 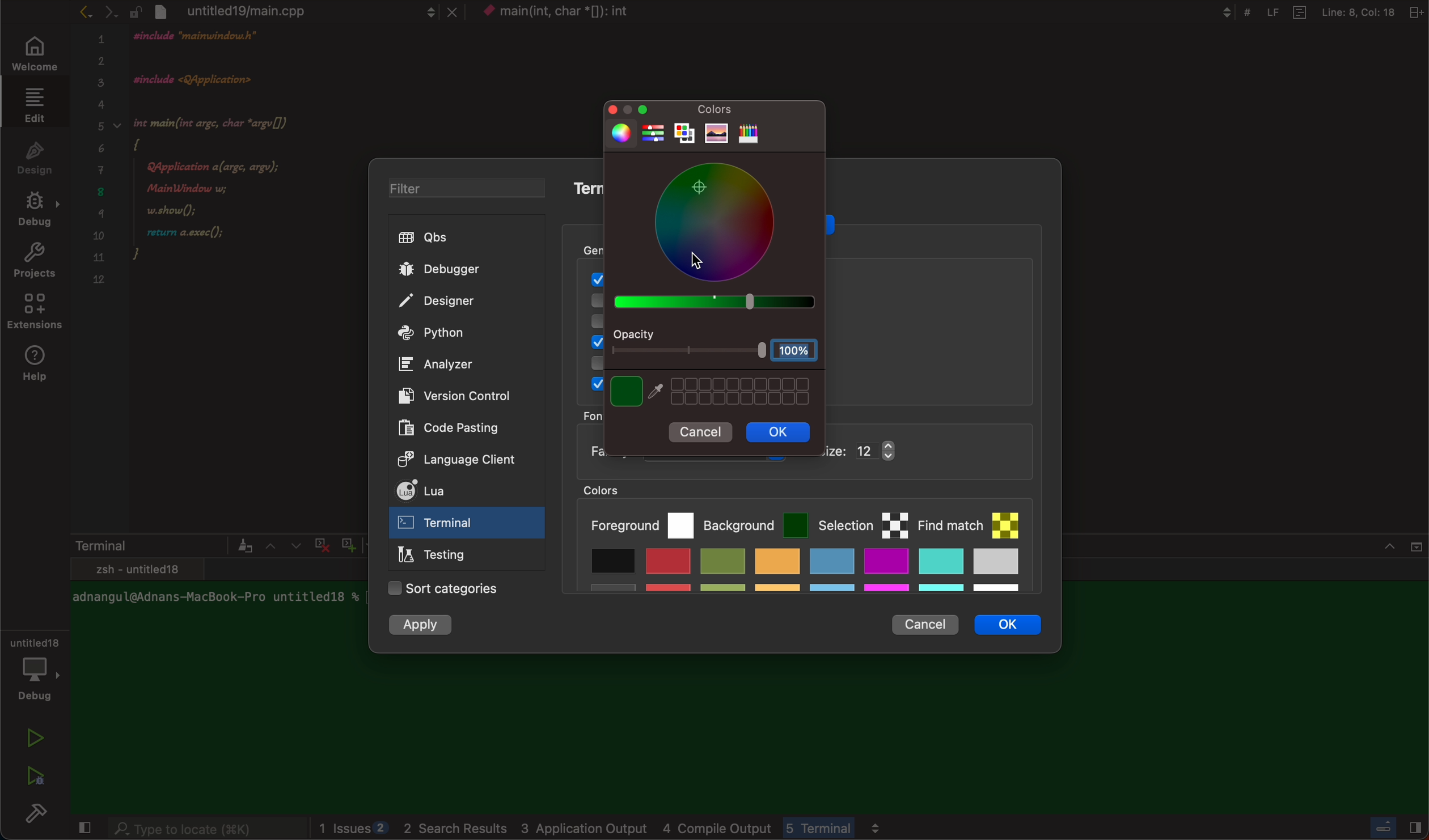 What do you see at coordinates (924, 621) in the screenshot?
I see `cancel` at bounding box center [924, 621].